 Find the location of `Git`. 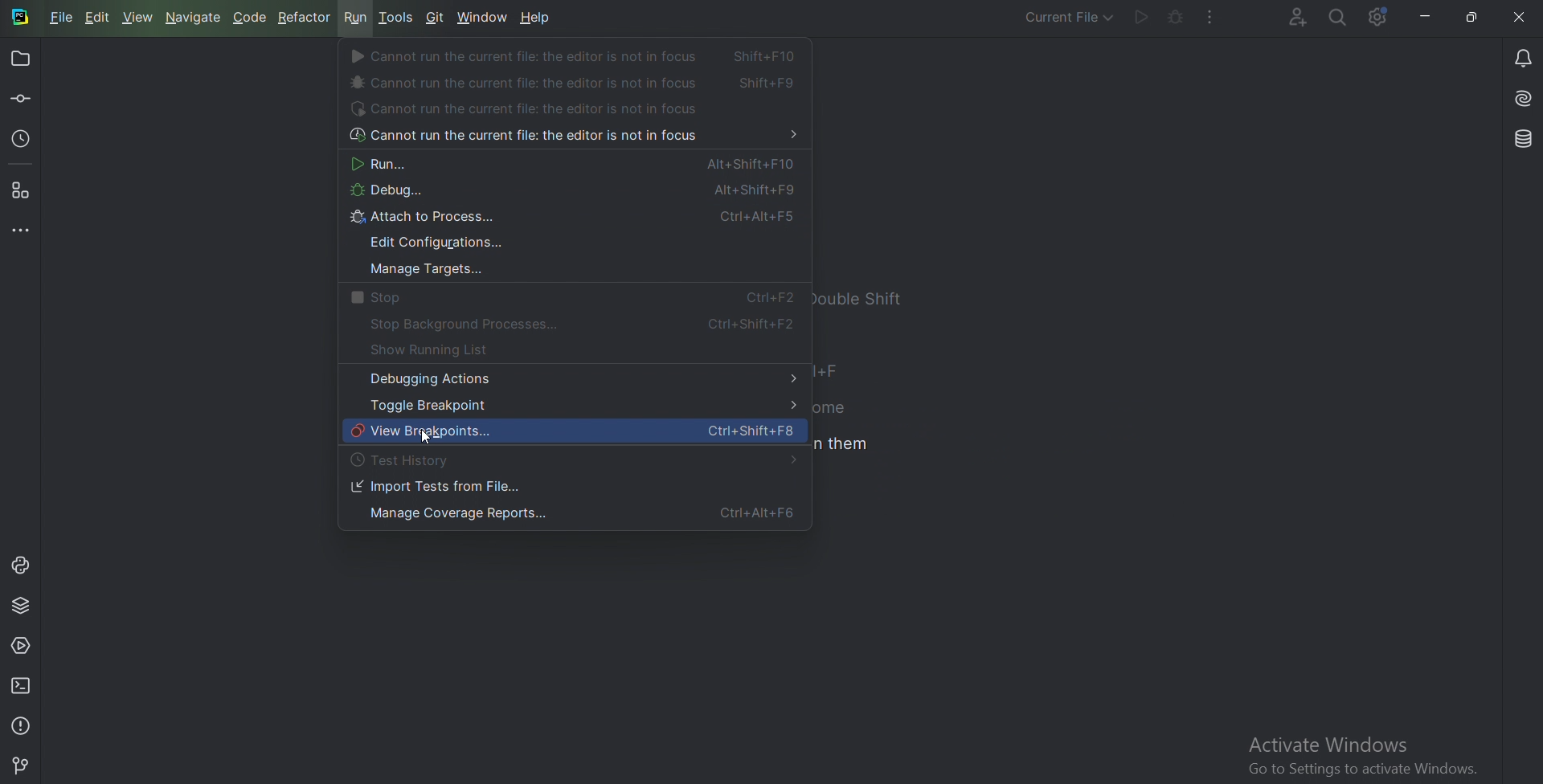

Git is located at coordinates (436, 18).